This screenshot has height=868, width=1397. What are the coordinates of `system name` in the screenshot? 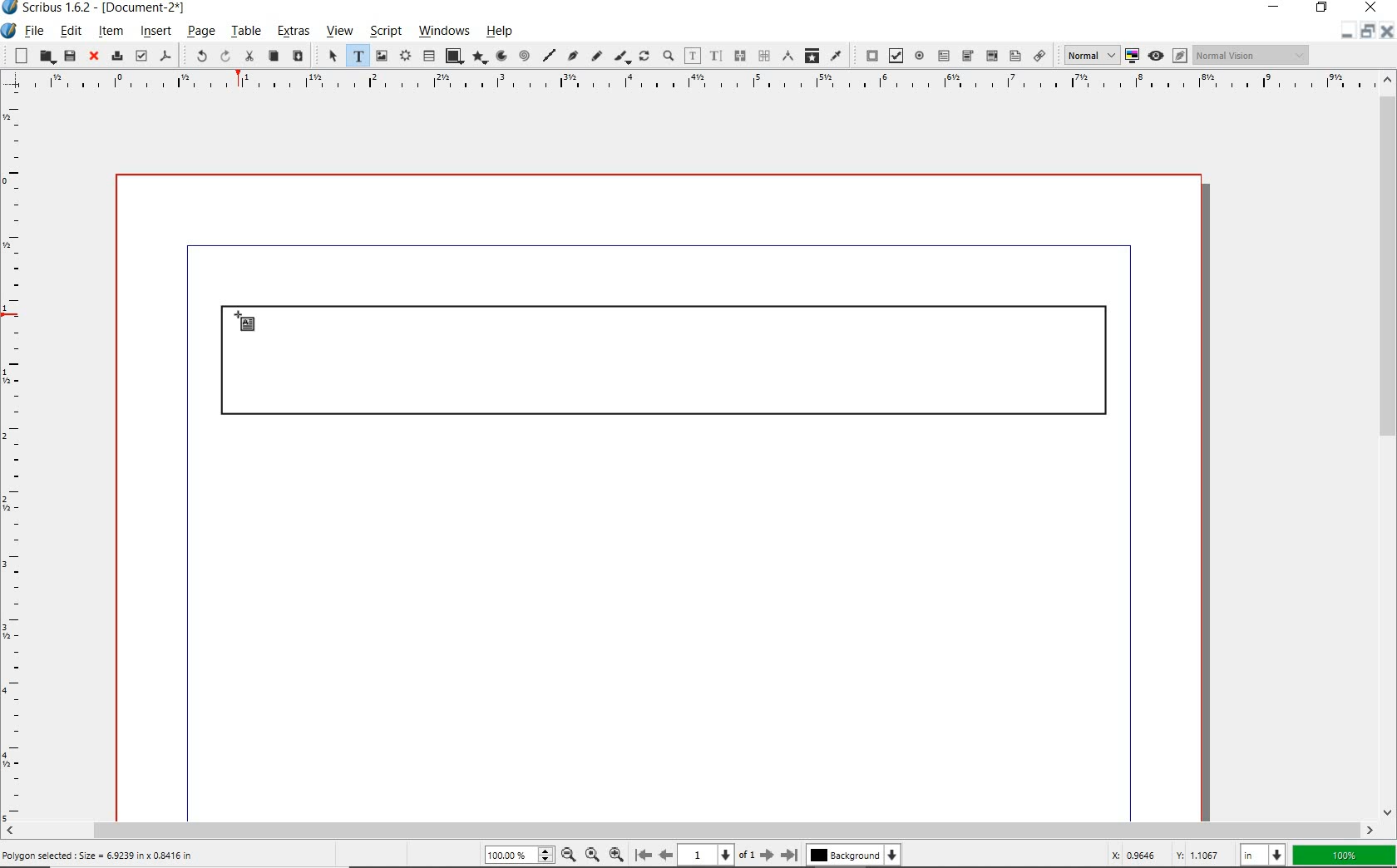 It's located at (96, 7).